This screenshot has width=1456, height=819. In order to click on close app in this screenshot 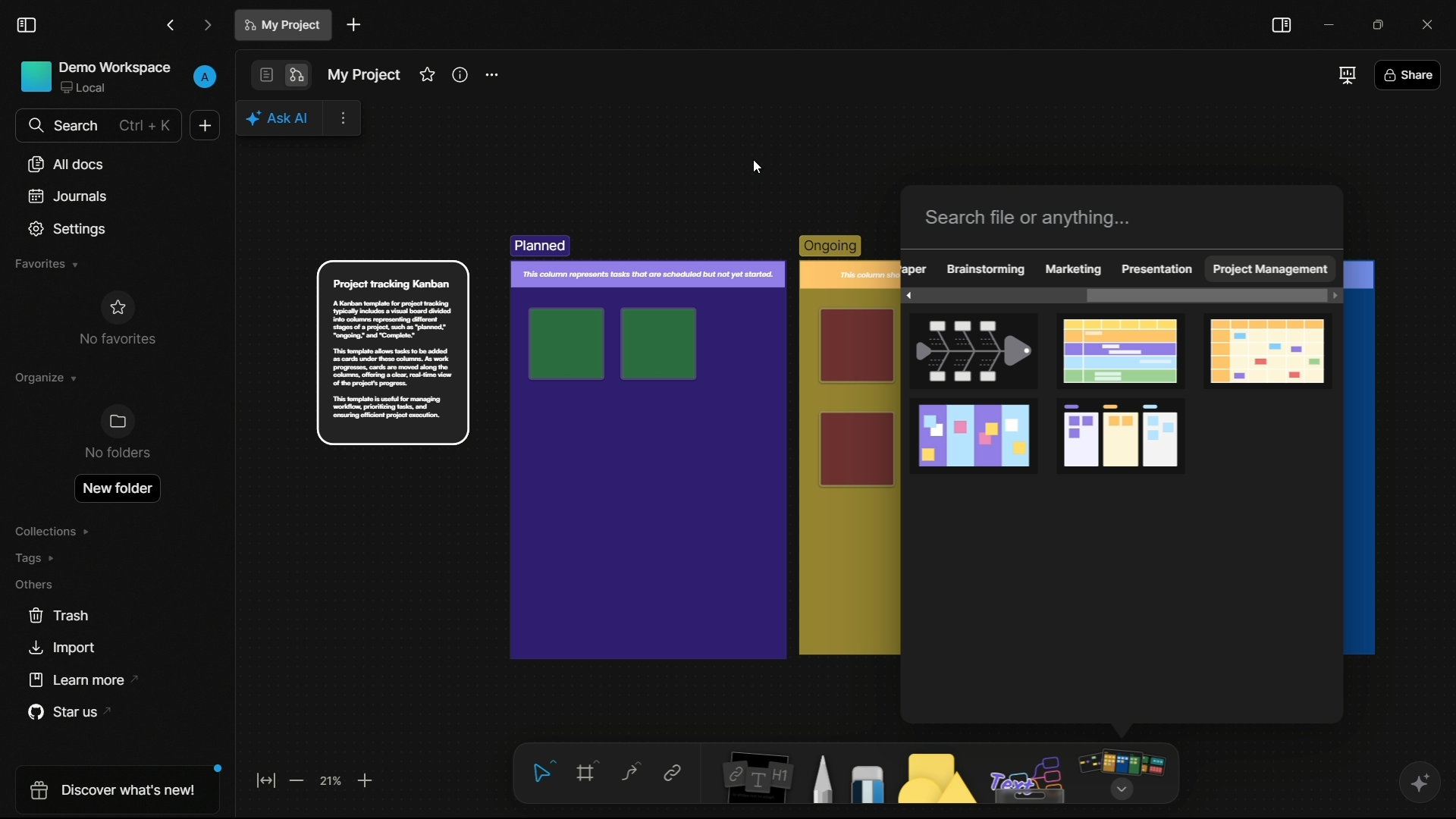, I will do `click(1432, 24)`.